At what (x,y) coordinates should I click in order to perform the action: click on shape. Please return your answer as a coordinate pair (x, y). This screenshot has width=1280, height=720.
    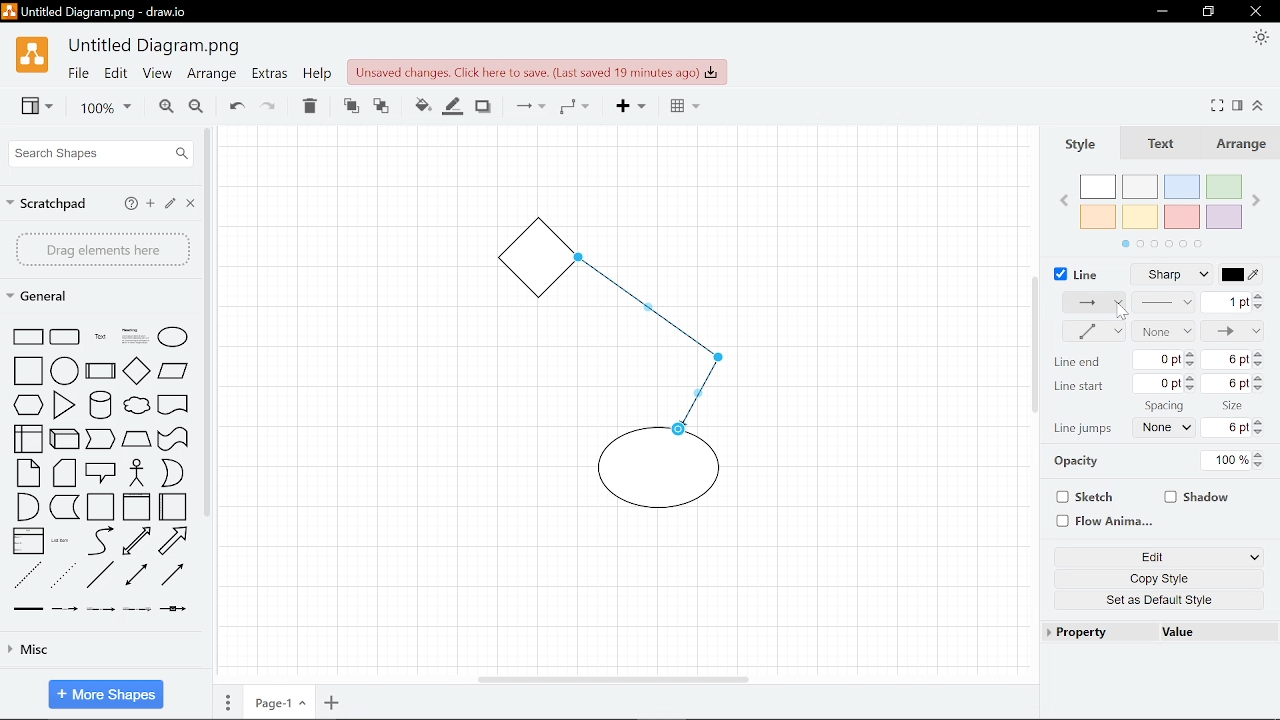
    Looking at the image, I should click on (100, 507).